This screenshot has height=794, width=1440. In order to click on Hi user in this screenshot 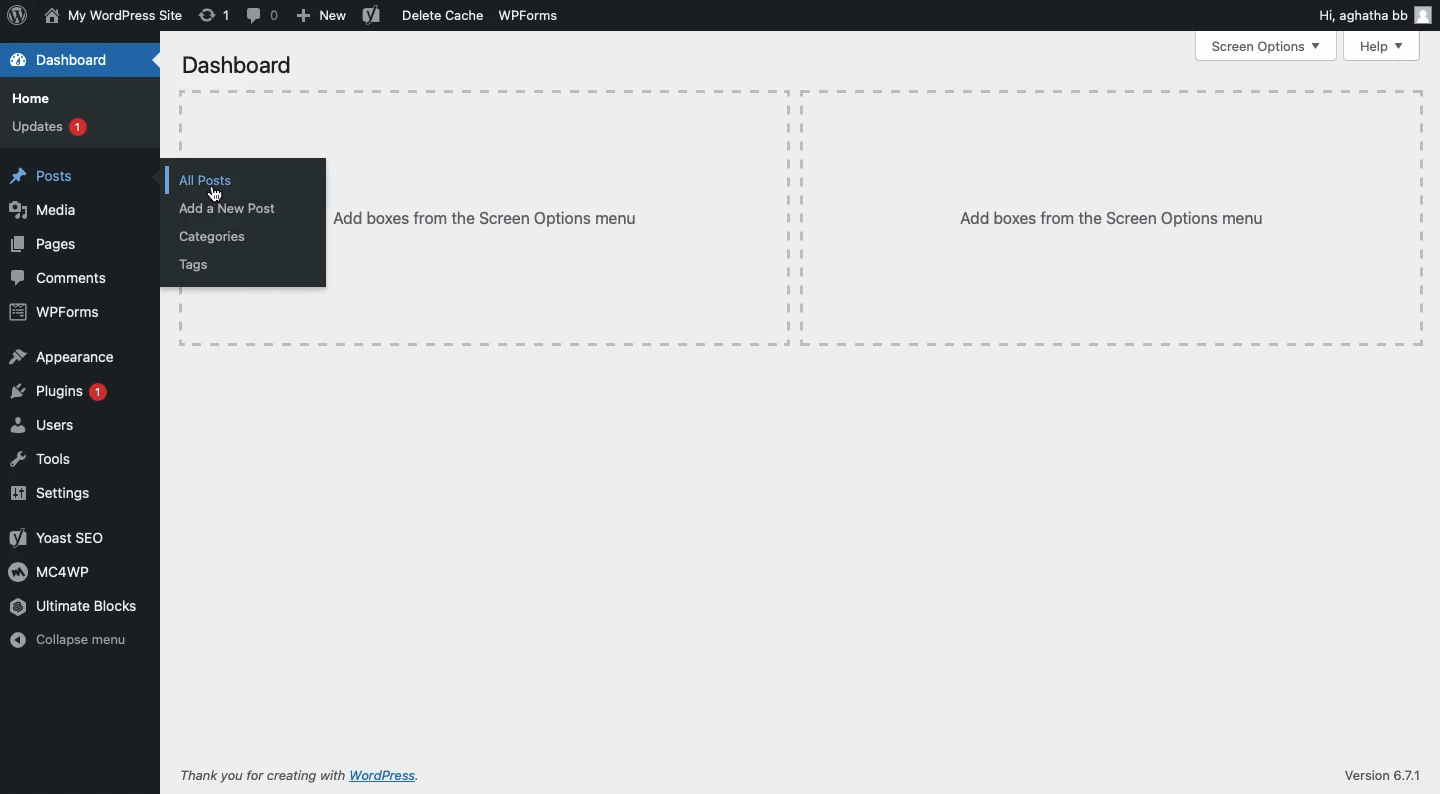, I will do `click(1373, 13)`.